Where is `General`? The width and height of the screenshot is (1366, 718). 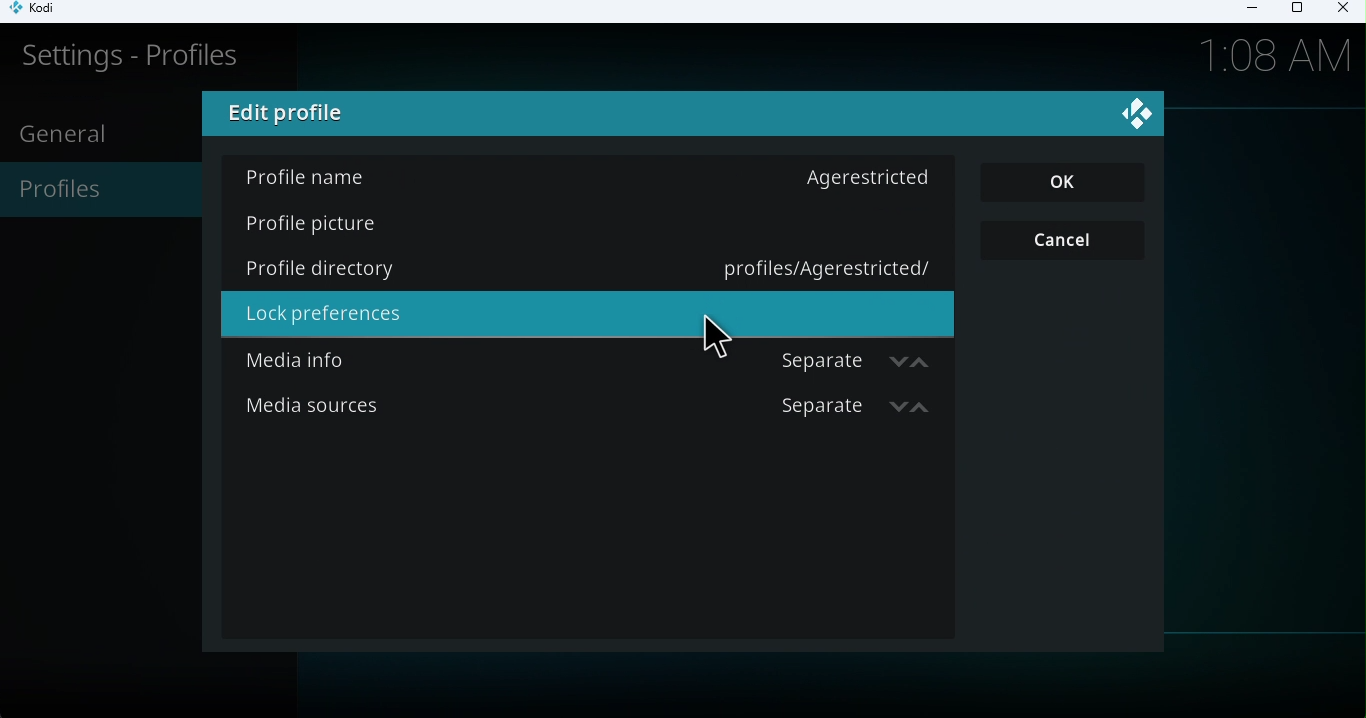
General is located at coordinates (68, 133).